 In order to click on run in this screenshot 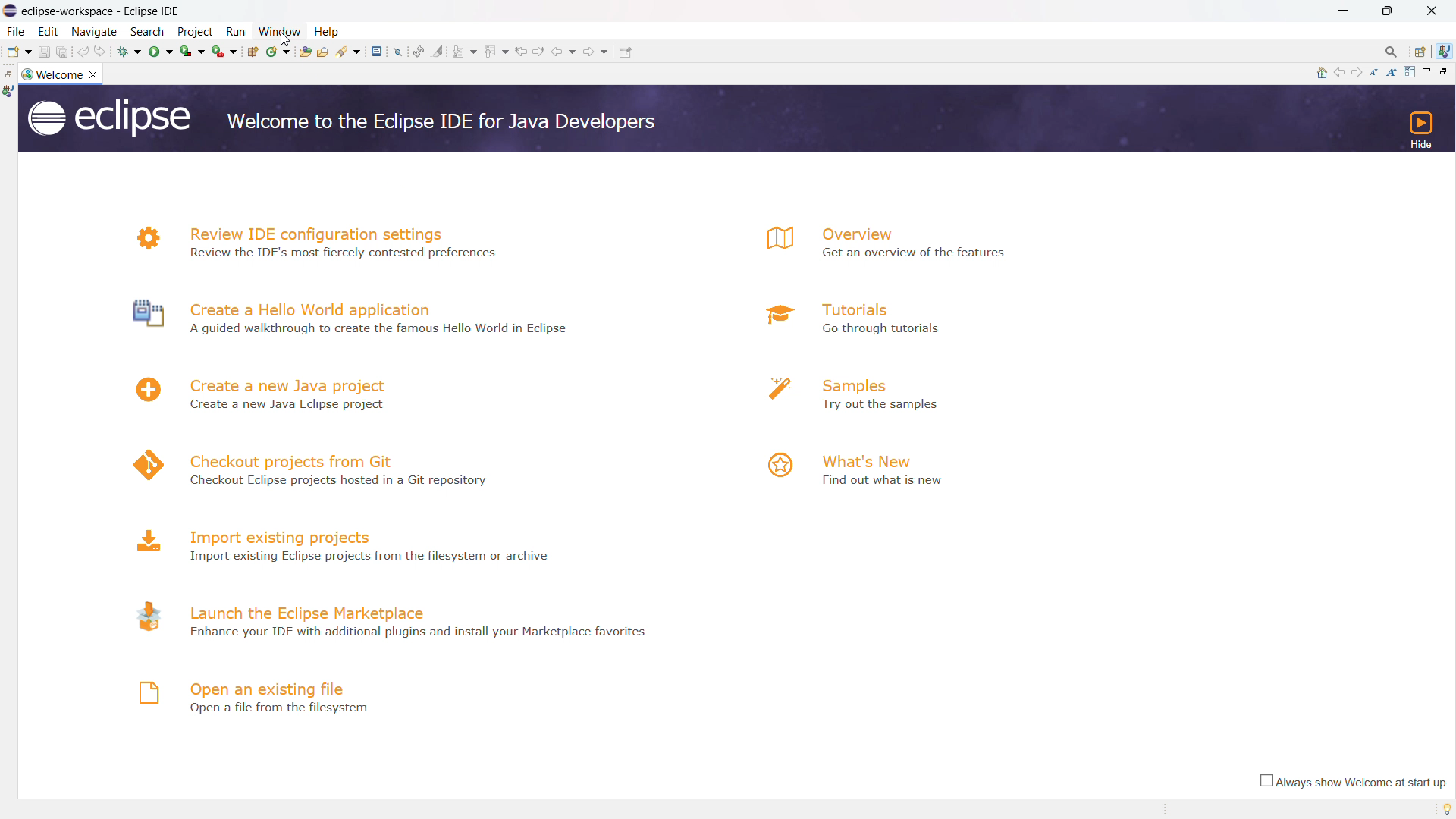, I will do `click(234, 32)`.